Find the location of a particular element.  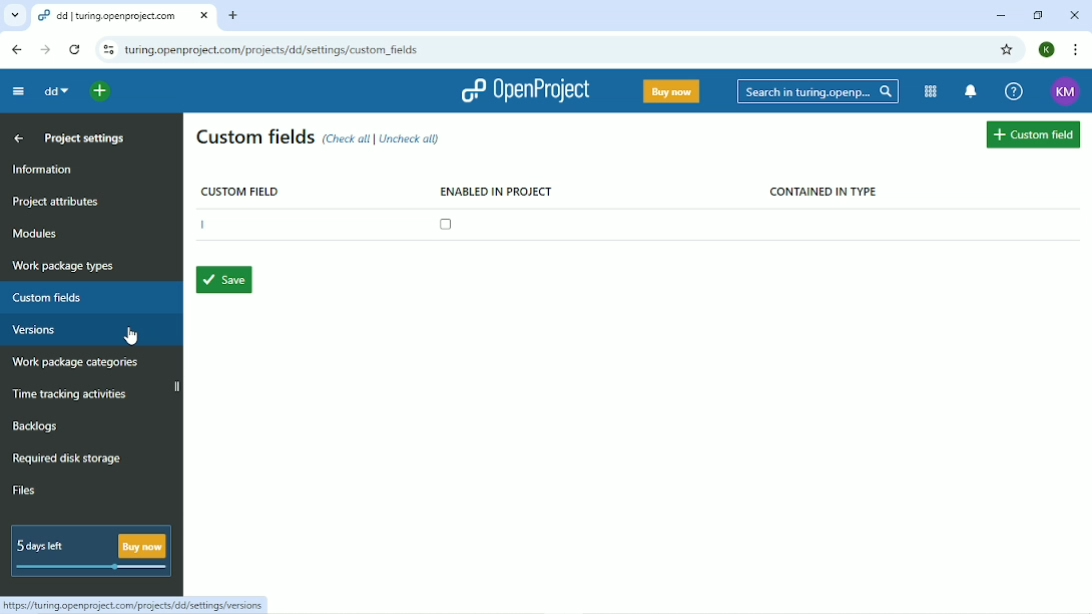

Backlogs is located at coordinates (36, 426).